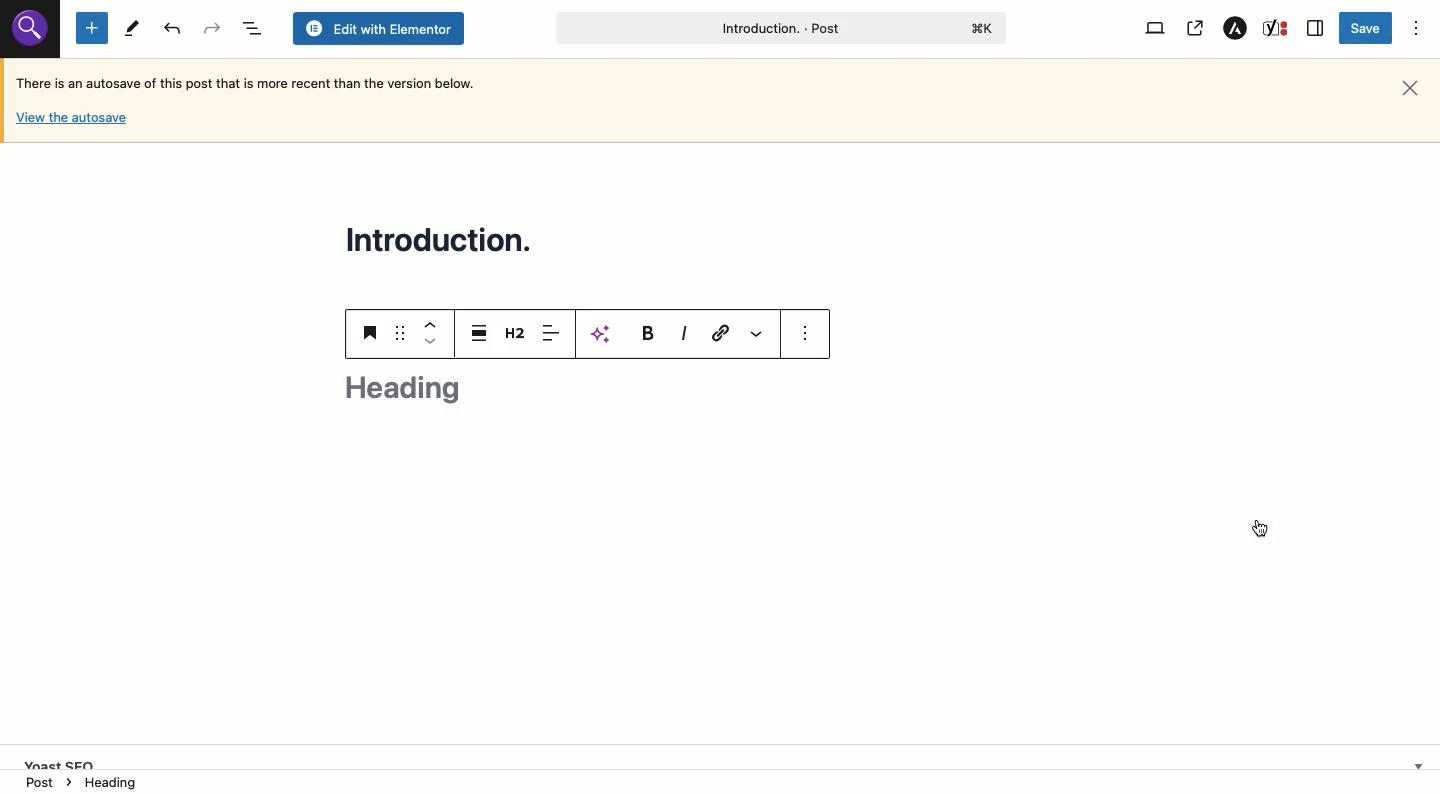 This screenshot has height=794, width=1440. What do you see at coordinates (646, 332) in the screenshot?
I see `Bold` at bounding box center [646, 332].